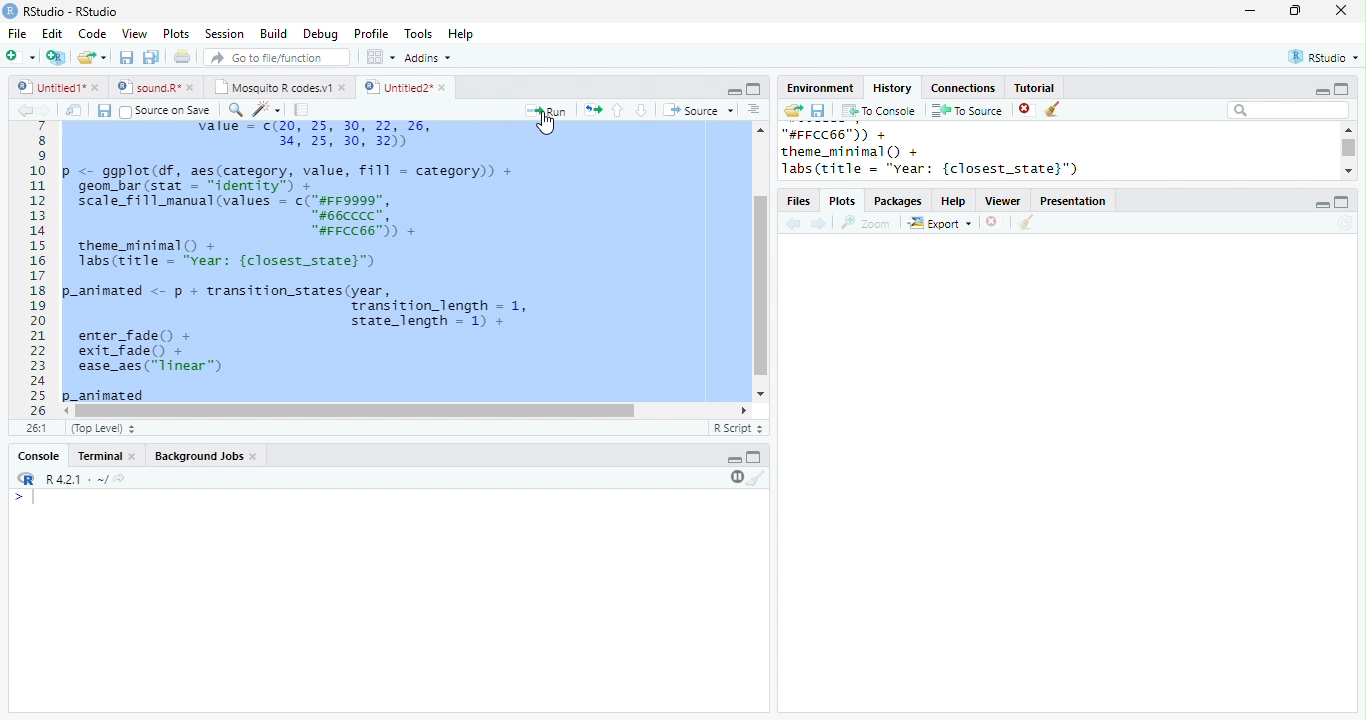  I want to click on Tutorial, so click(1035, 88).